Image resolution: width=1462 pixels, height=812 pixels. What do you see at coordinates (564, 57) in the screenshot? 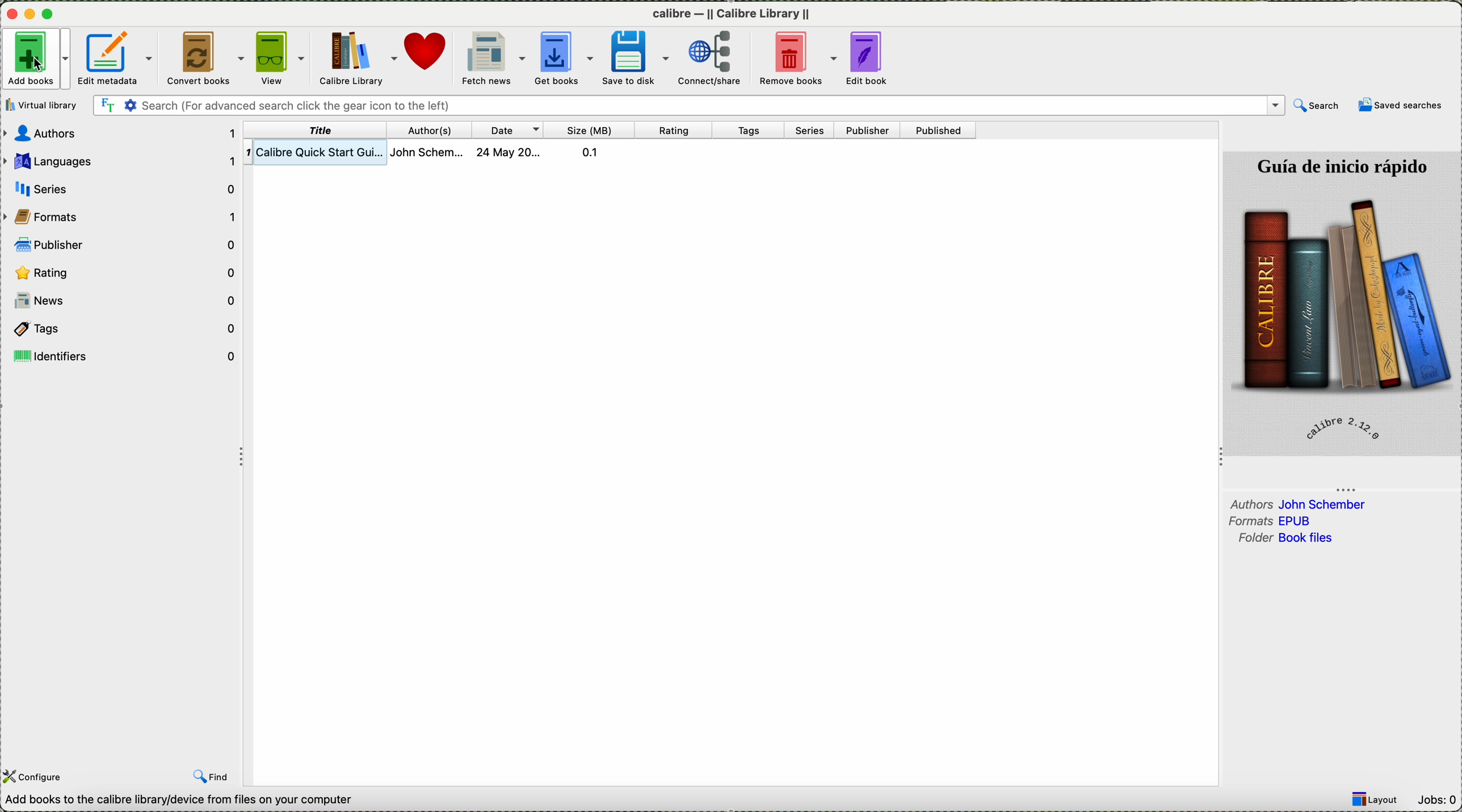
I see `get books` at bounding box center [564, 57].